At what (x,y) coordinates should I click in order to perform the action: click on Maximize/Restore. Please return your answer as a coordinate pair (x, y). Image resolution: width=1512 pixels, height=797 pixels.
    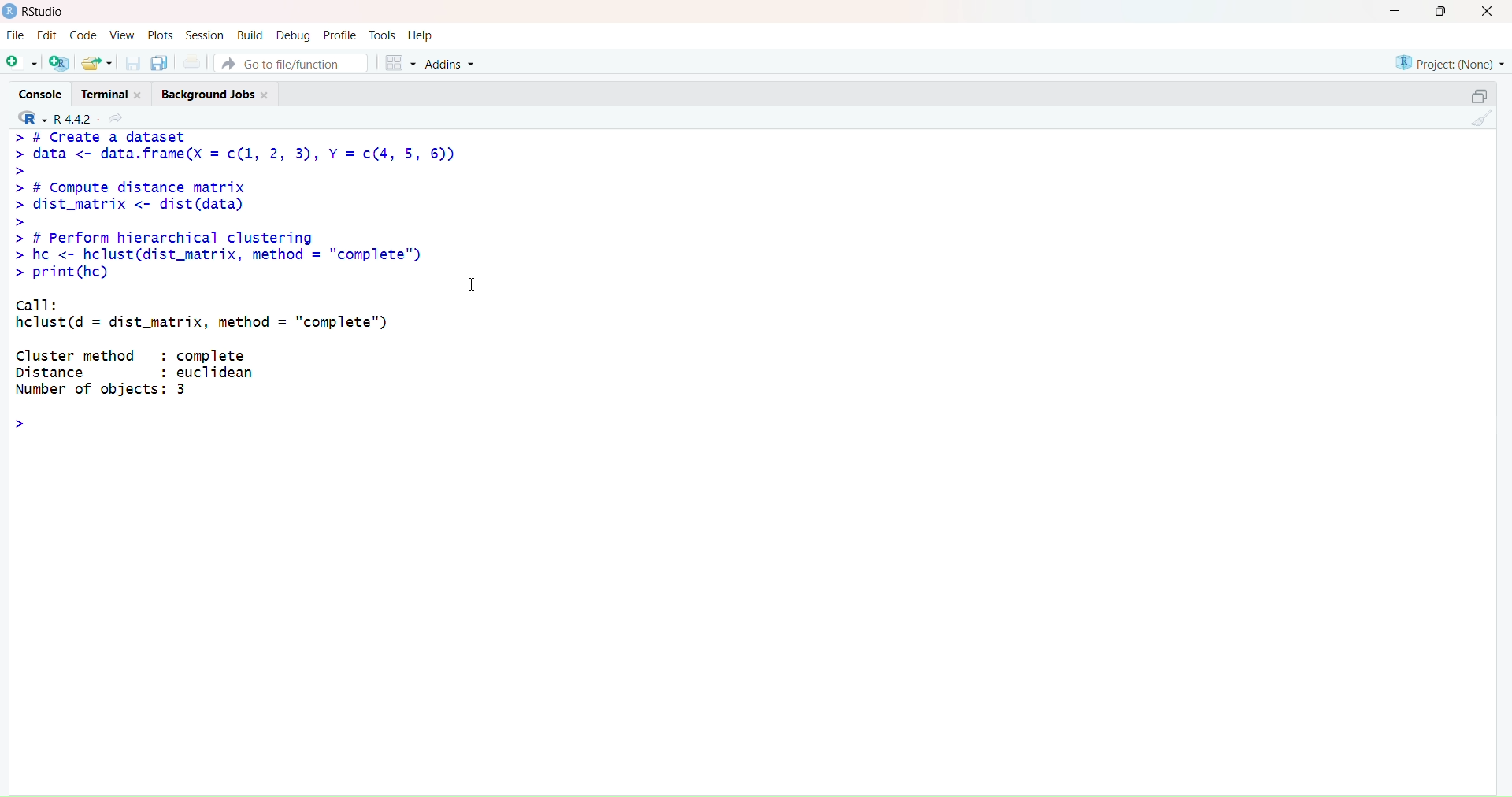
    Looking at the image, I should click on (1446, 13).